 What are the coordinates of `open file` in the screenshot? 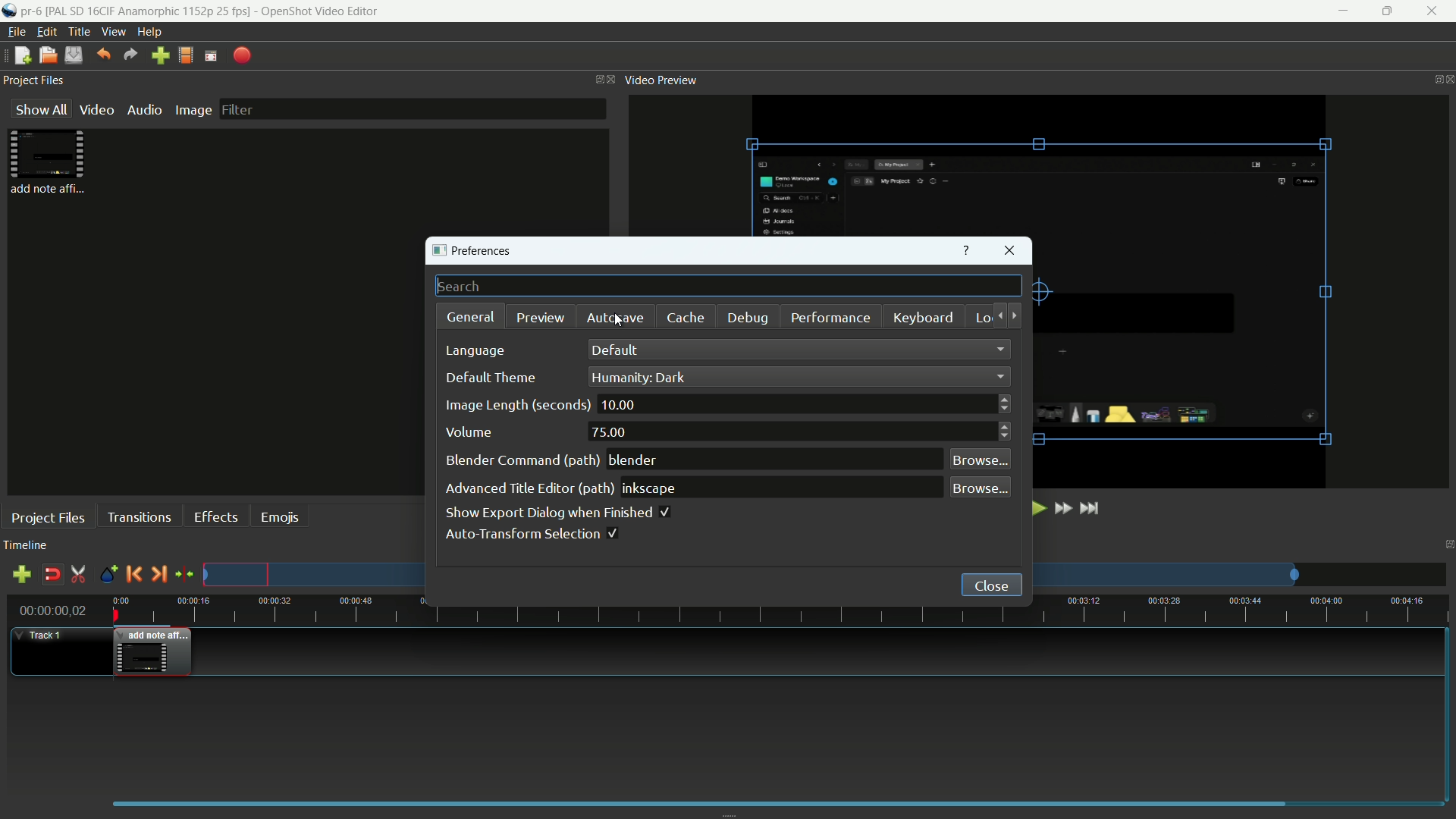 It's located at (48, 55).